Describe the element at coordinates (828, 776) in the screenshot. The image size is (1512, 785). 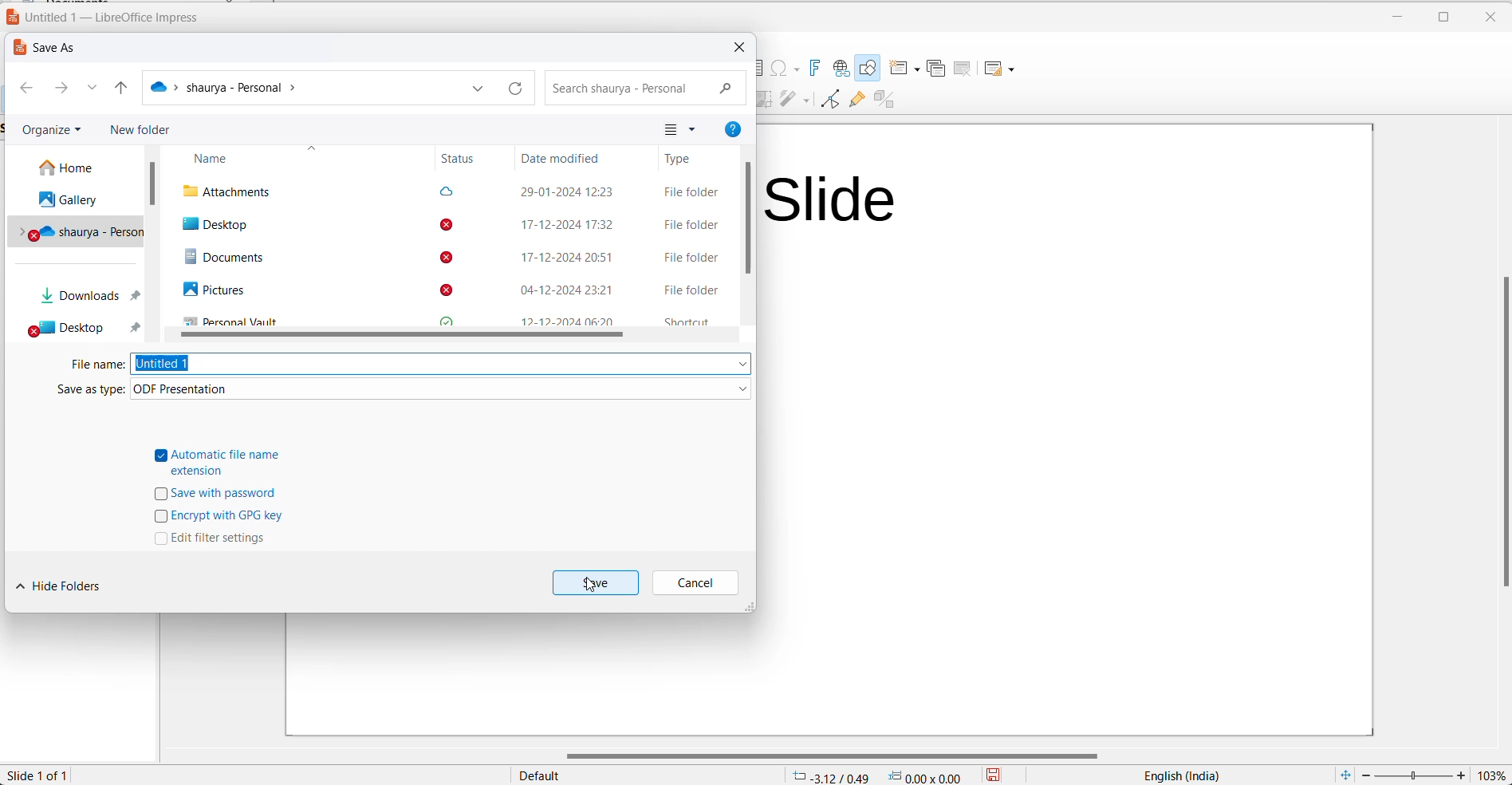
I see `cursor location: -1.312 7/049` at that location.